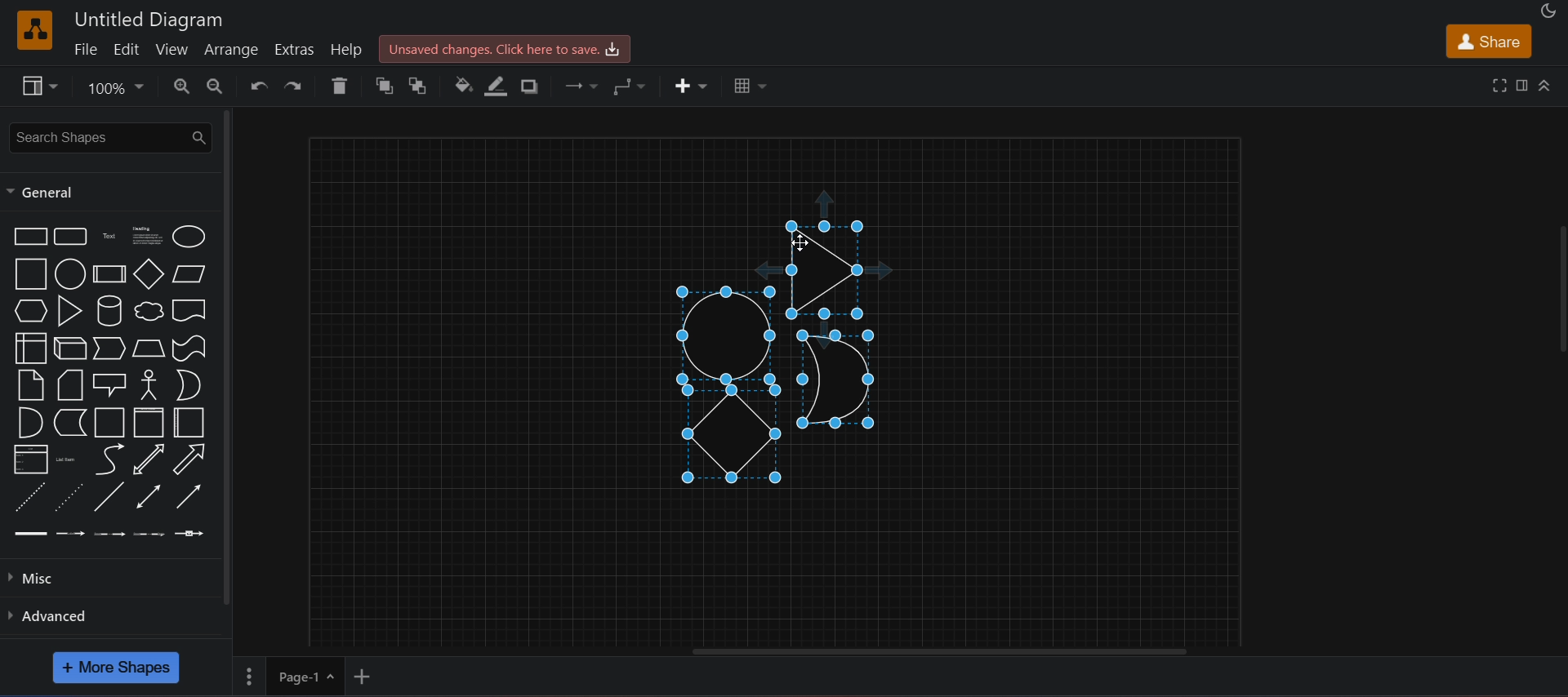 The height and width of the screenshot is (697, 1568). I want to click on process, so click(109, 273).